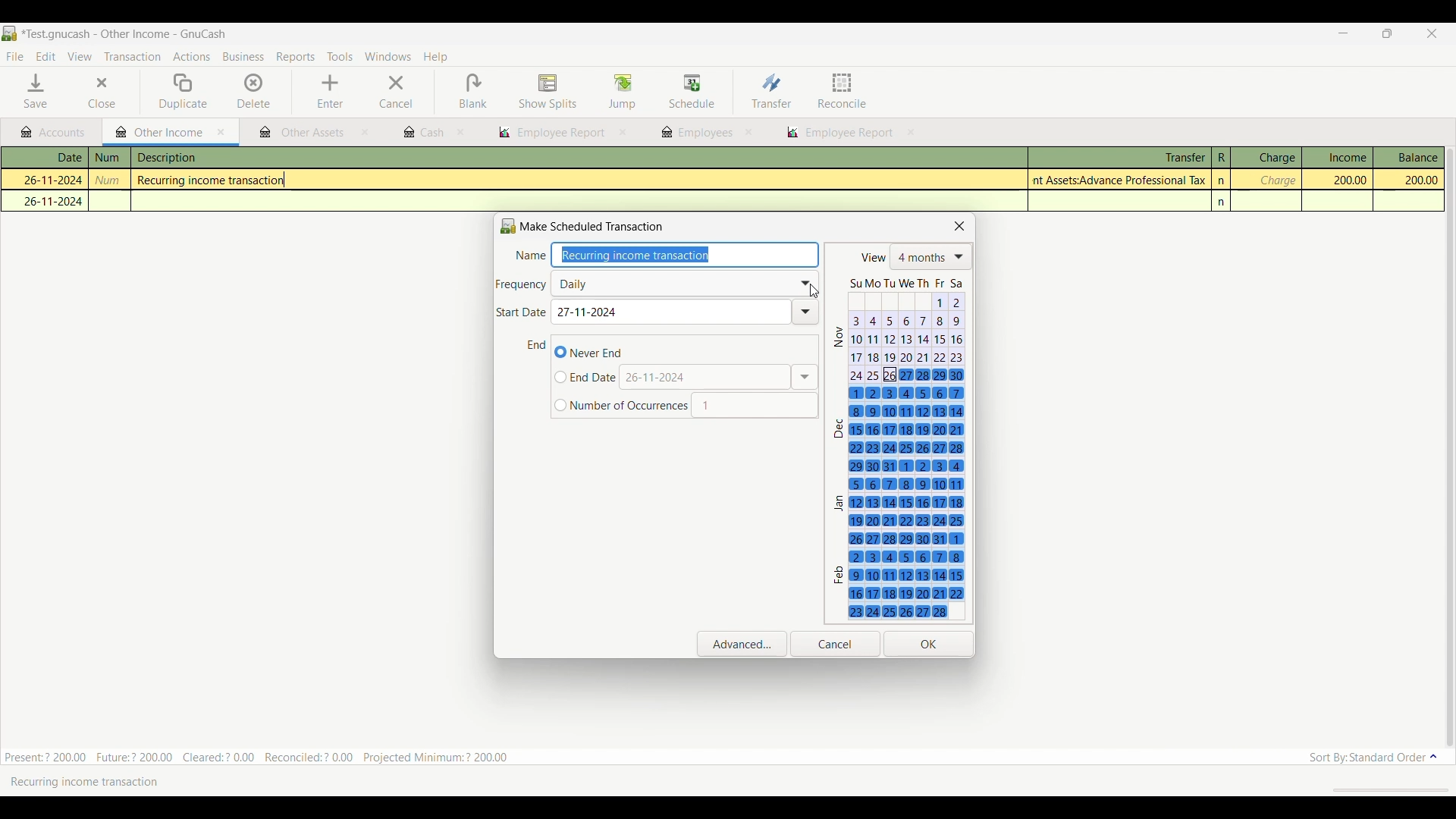 Image resolution: width=1456 pixels, height=819 pixels. What do you see at coordinates (807, 312) in the screenshot?
I see `Drop down of date` at bounding box center [807, 312].